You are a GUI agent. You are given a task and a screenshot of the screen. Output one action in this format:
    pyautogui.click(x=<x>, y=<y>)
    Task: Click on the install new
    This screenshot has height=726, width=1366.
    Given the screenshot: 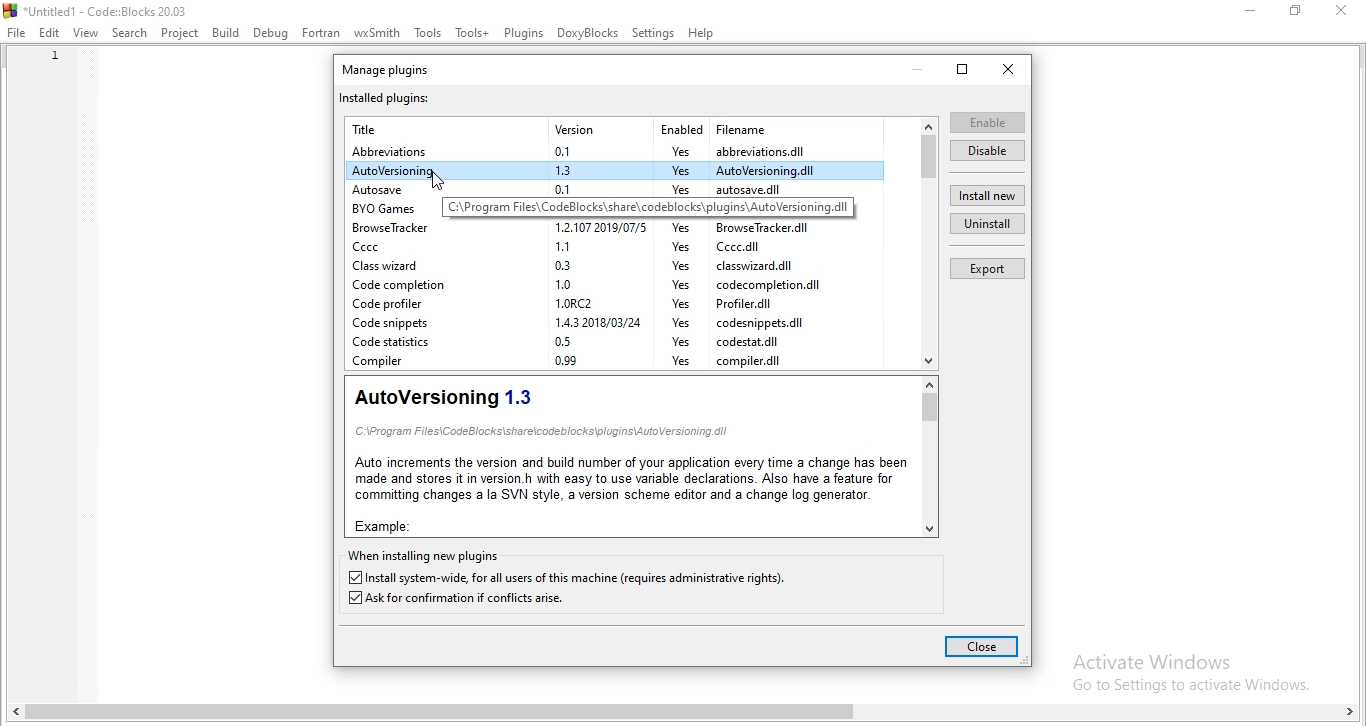 What is the action you would take?
    pyautogui.click(x=988, y=196)
    